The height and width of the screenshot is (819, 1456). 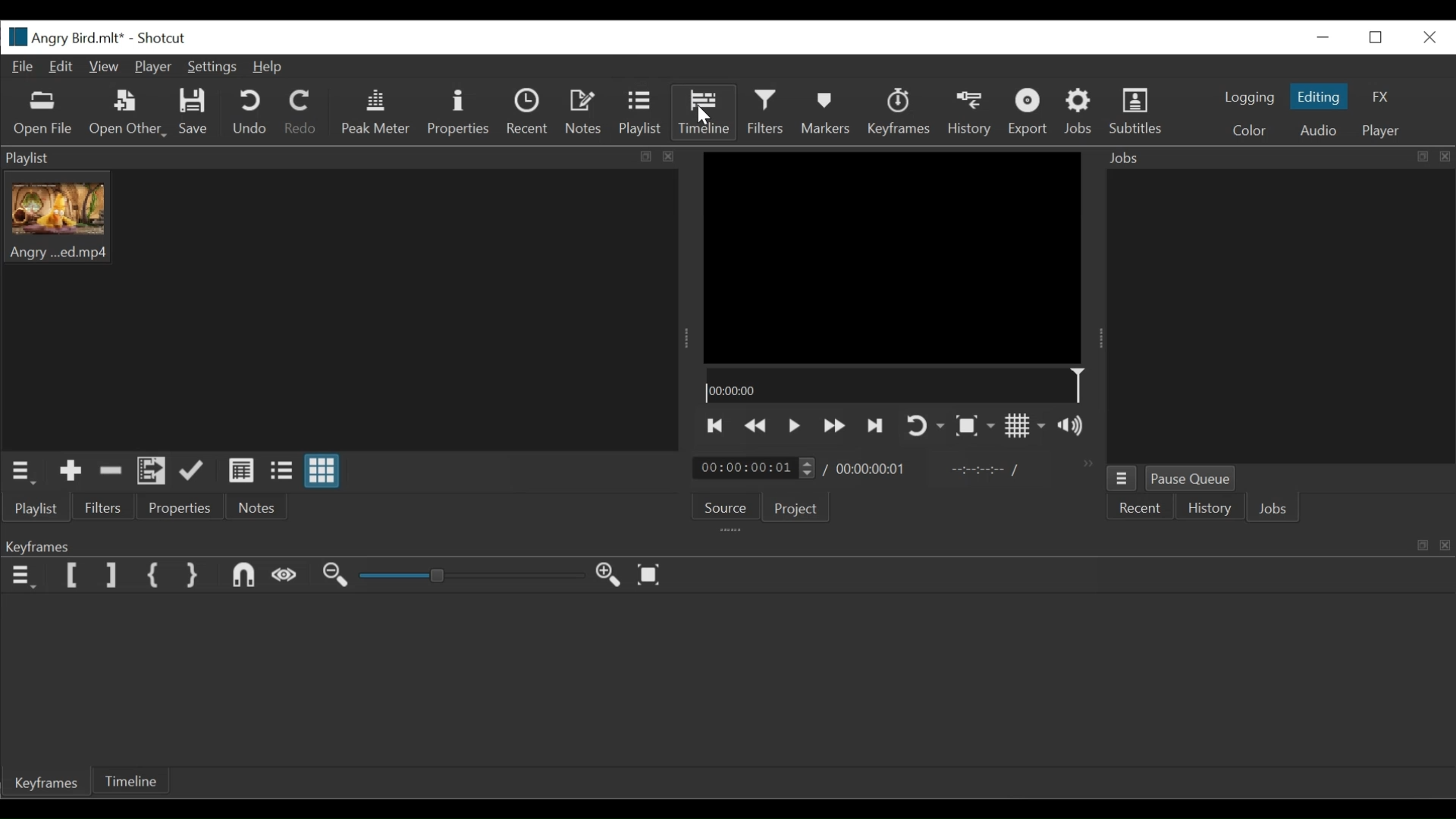 What do you see at coordinates (45, 114) in the screenshot?
I see `Open Other File` at bounding box center [45, 114].